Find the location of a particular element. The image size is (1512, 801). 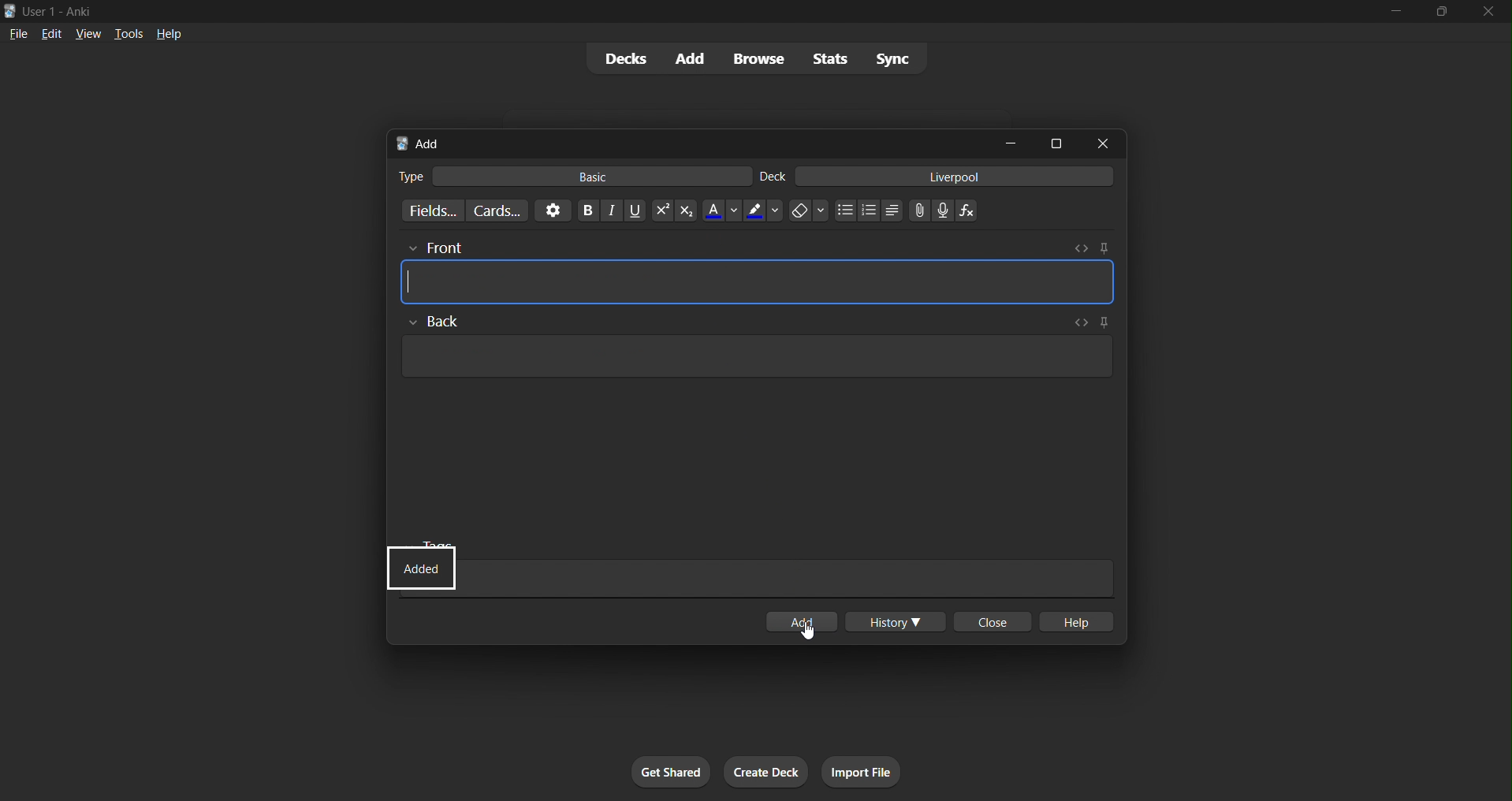

italic is located at coordinates (605, 210).